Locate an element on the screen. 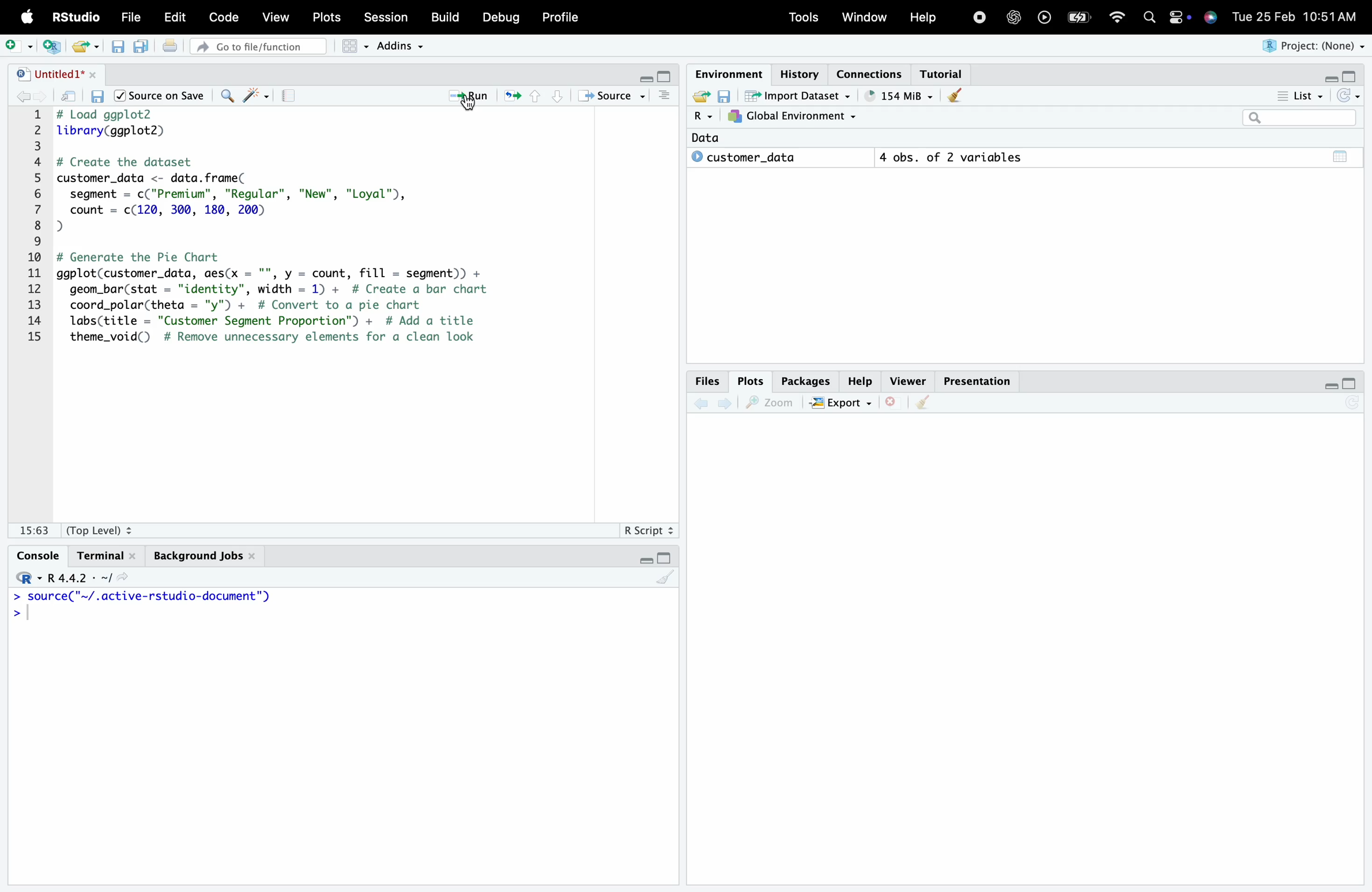 The width and height of the screenshot is (1372, 892). close is located at coordinates (894, 410).